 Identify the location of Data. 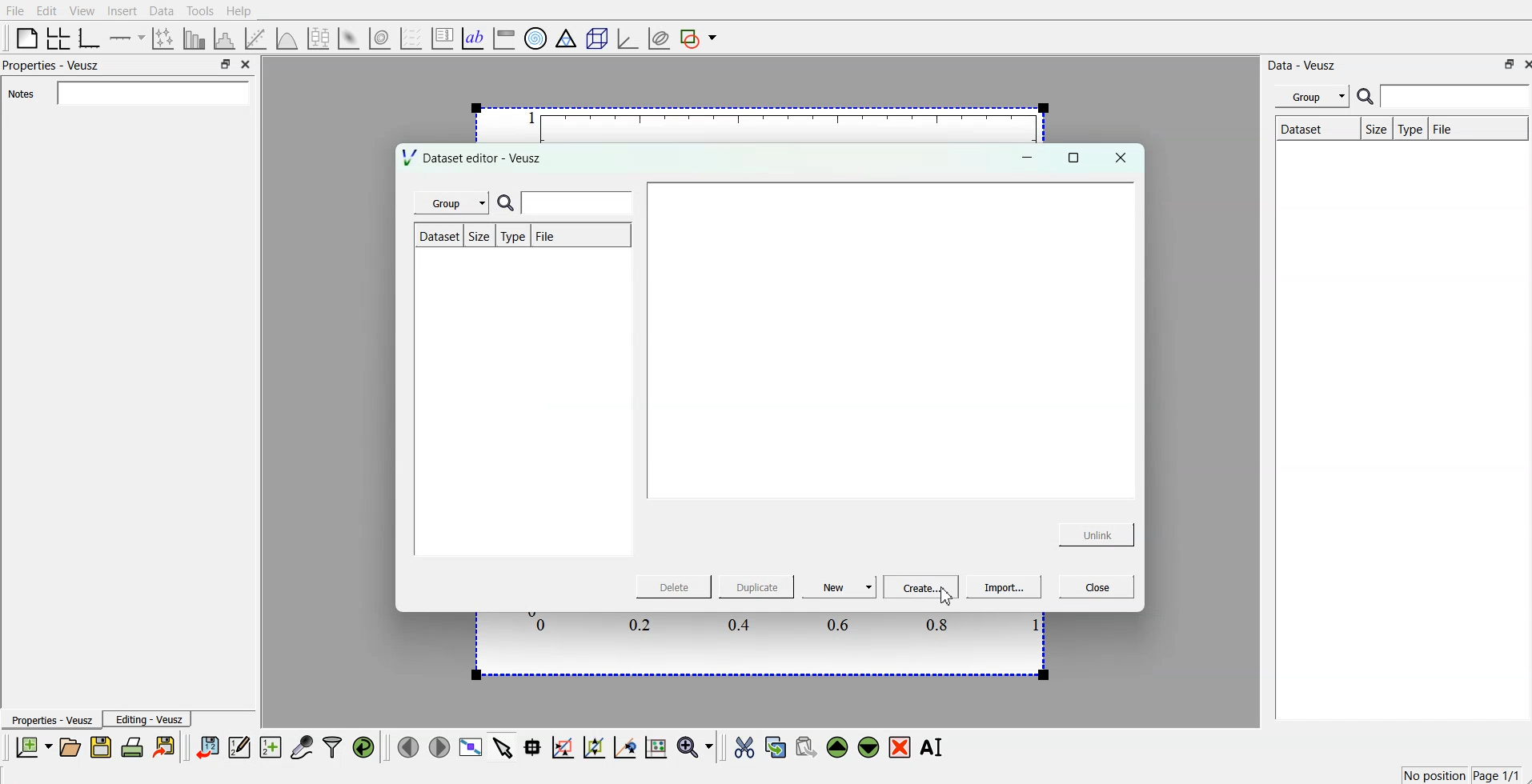
(162, 11).